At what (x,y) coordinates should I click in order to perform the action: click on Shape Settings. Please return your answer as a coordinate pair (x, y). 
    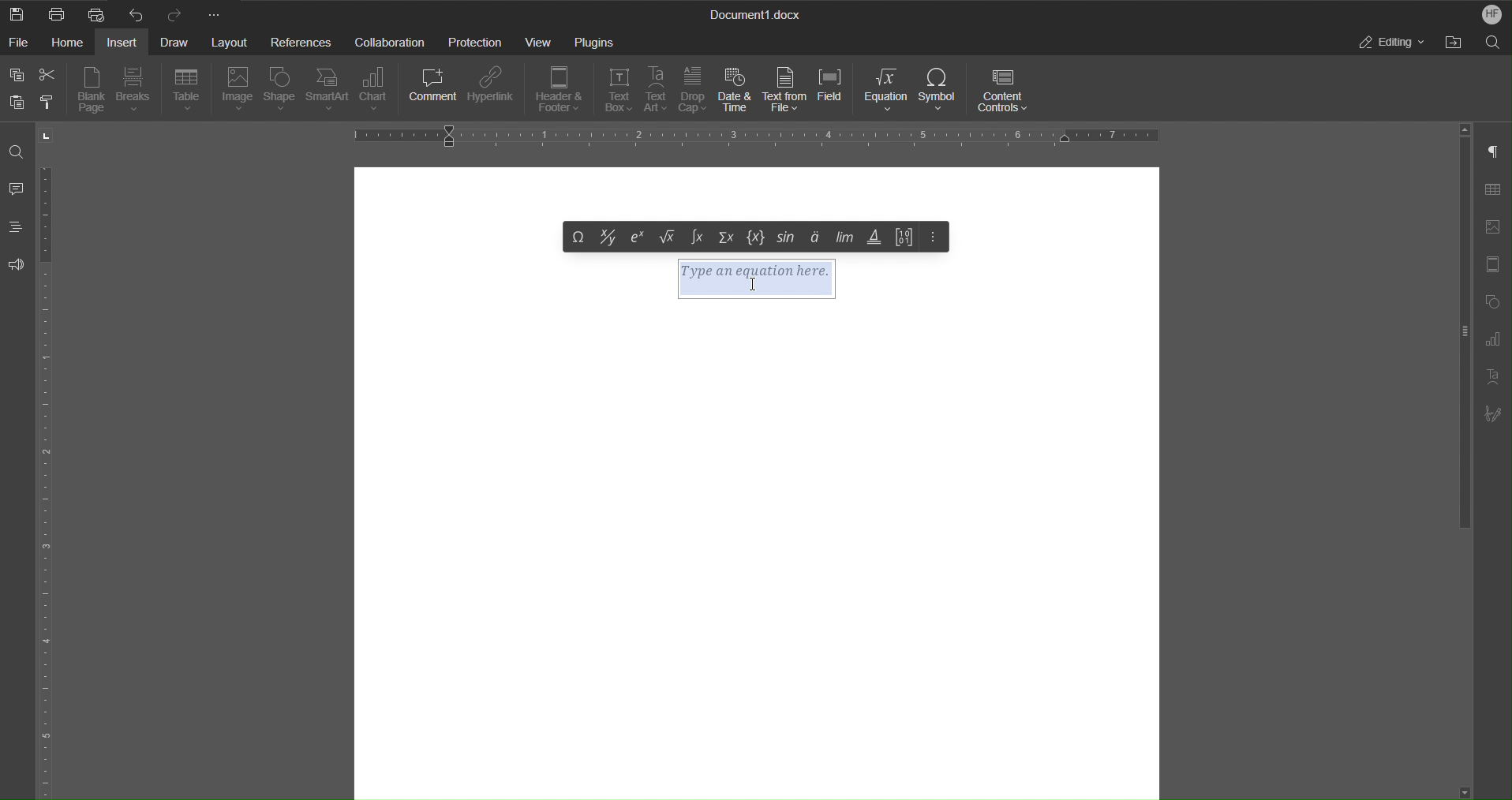
    Looking at the image, I should click on (1491, 301).